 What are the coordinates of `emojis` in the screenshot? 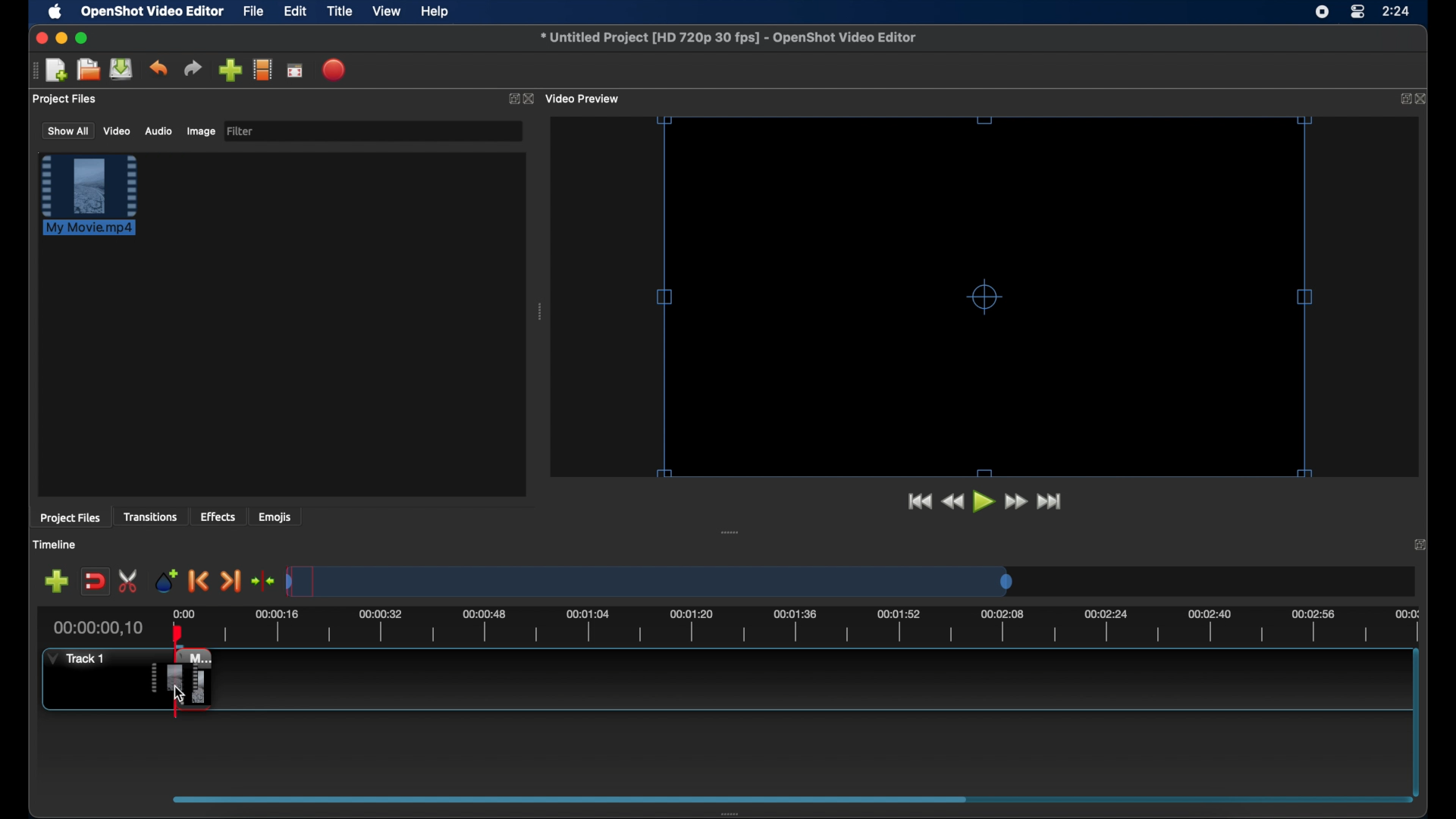 It's located at (277, 517).